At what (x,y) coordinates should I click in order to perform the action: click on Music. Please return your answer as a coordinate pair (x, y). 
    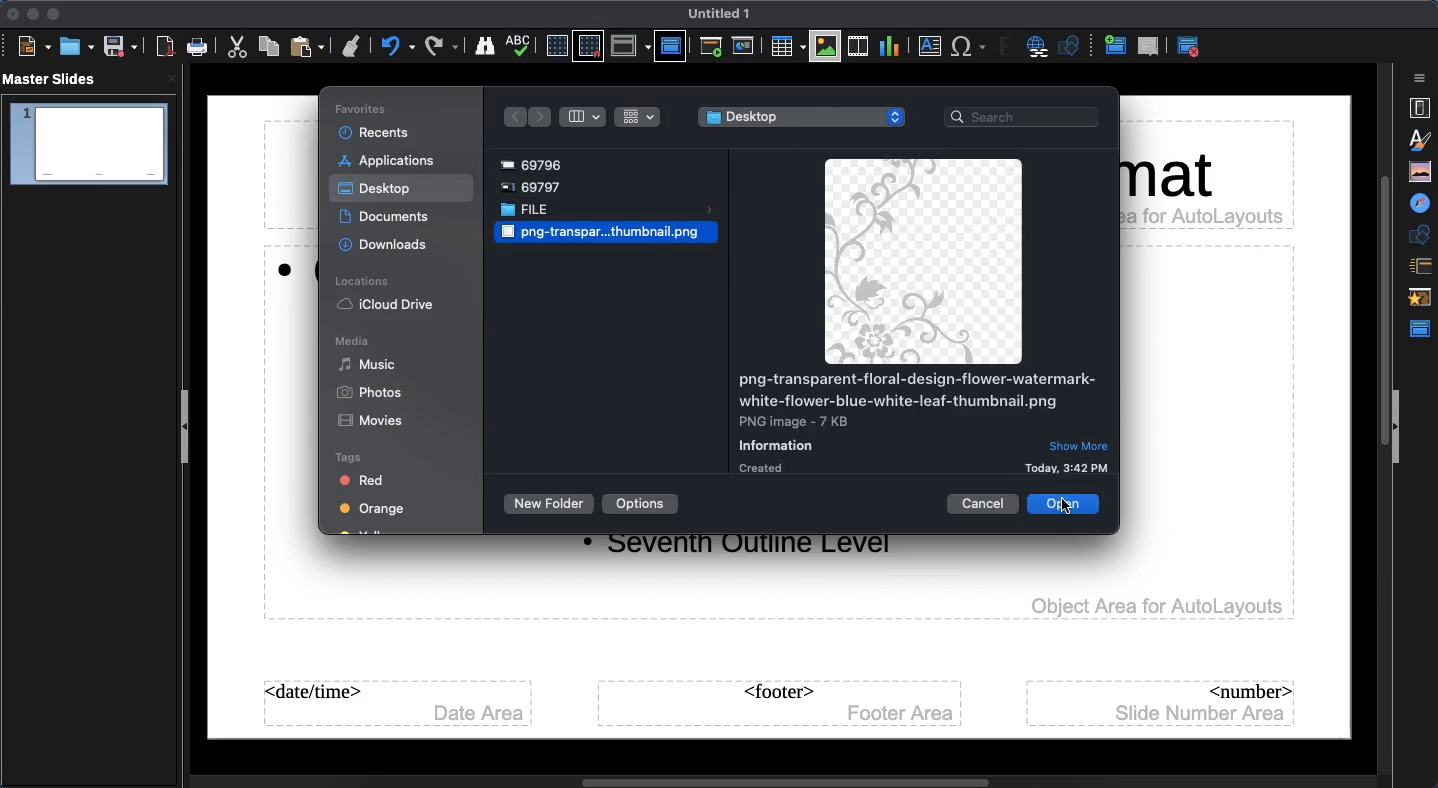
    Looking at the image, I should click on (368, 364).